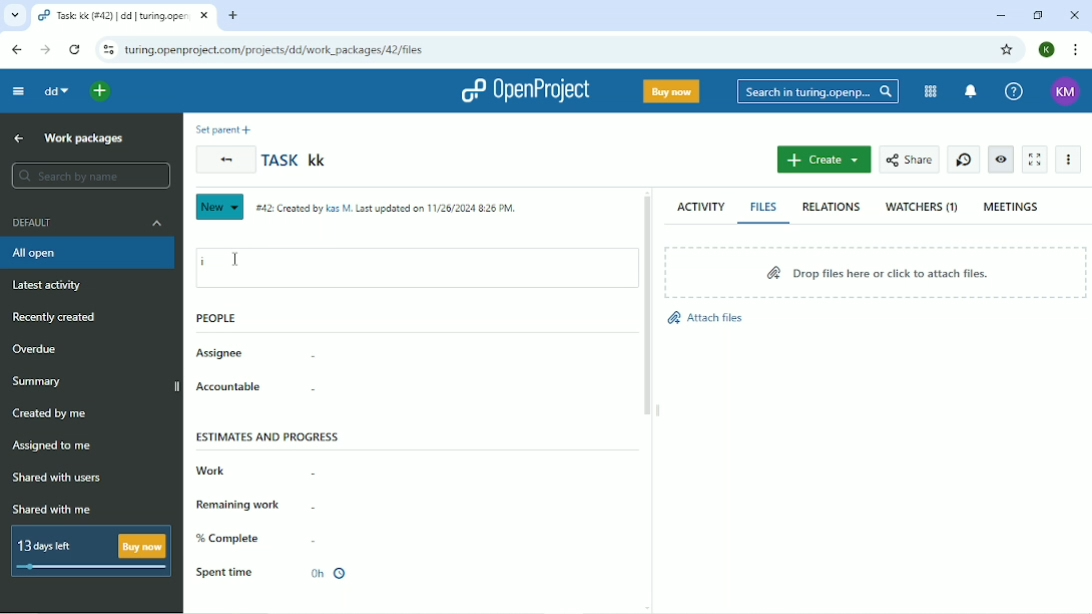  What do you see at coordinates (59, 318) in the screenshot?
I see `Recently created` at bounding box center [59, 318].